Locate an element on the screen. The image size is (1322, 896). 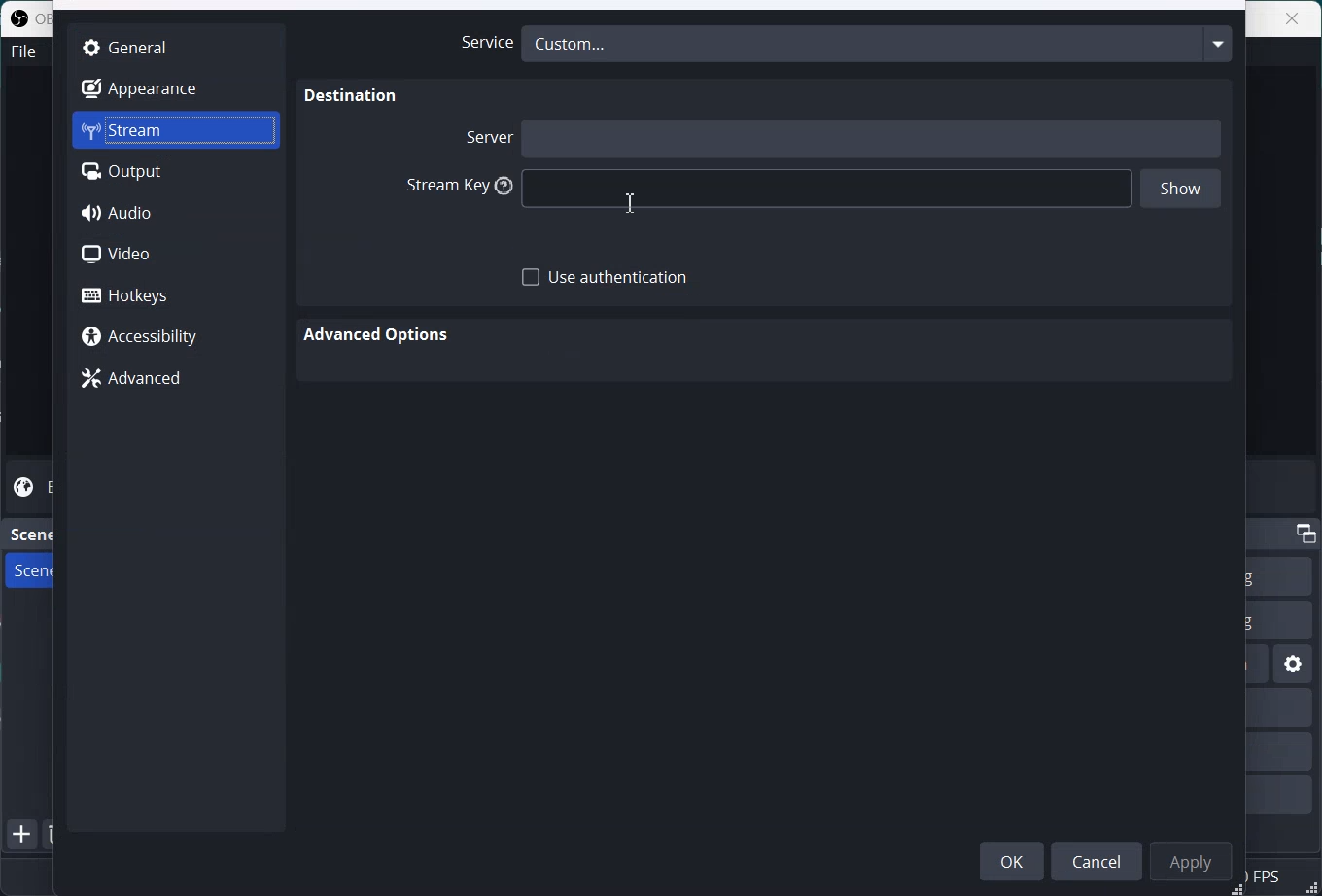
Advanced Option is located at coordinates (379, 335).